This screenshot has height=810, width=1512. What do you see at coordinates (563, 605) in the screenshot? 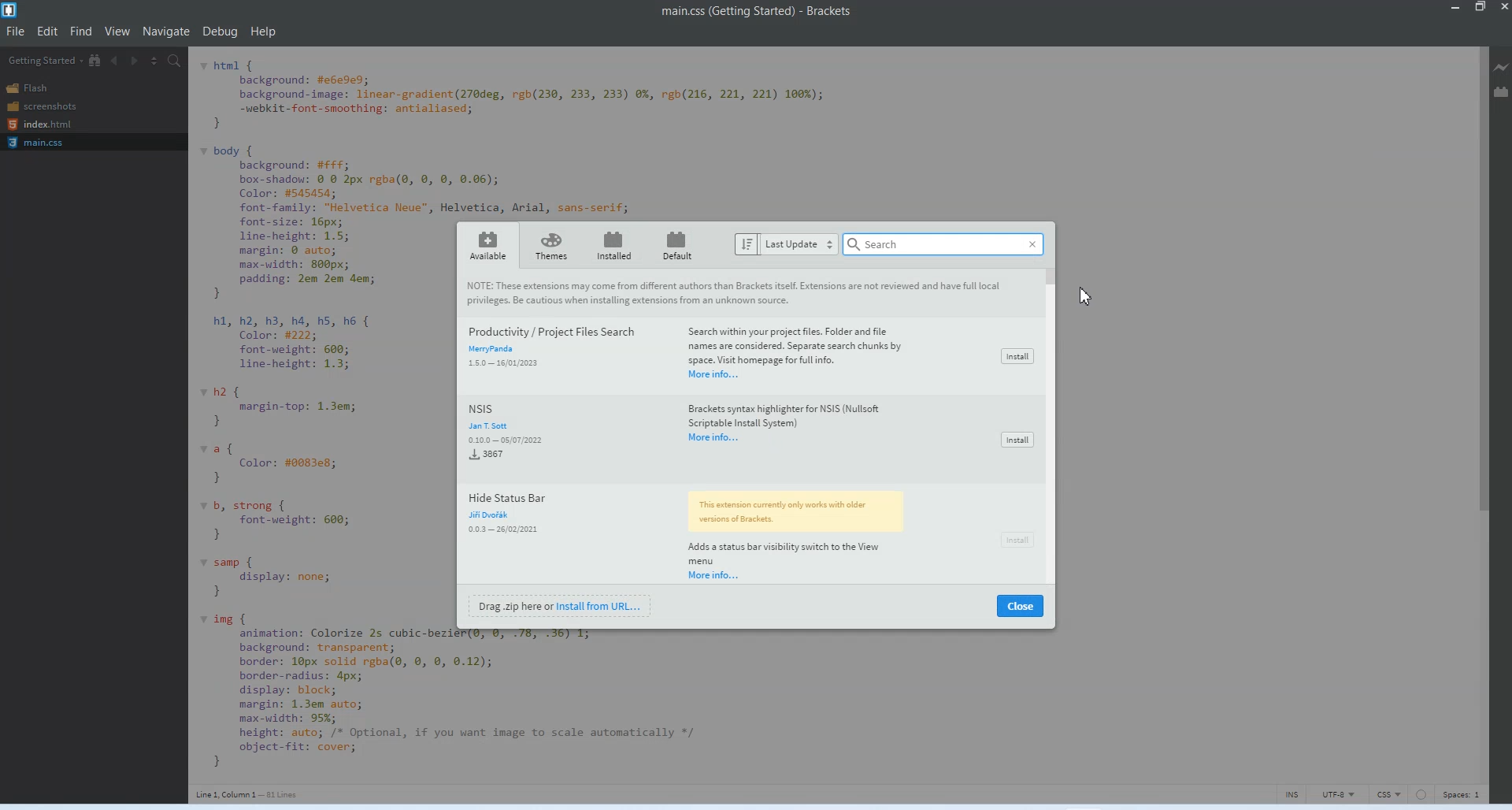
I see `Install from URL` at bounding box center [563, 605].